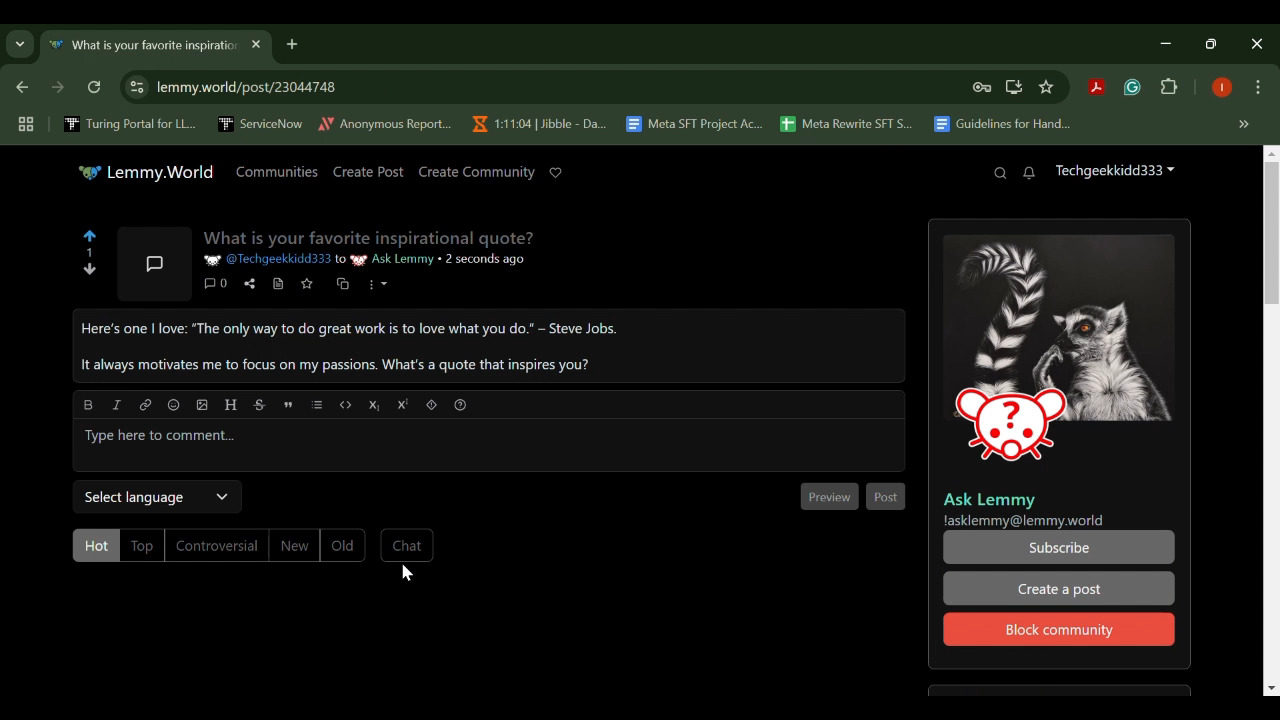 The image size is (1280, 720). Describe the element at coordinates (1060, 588) in the screenshot. I see `Create a post` at that location.